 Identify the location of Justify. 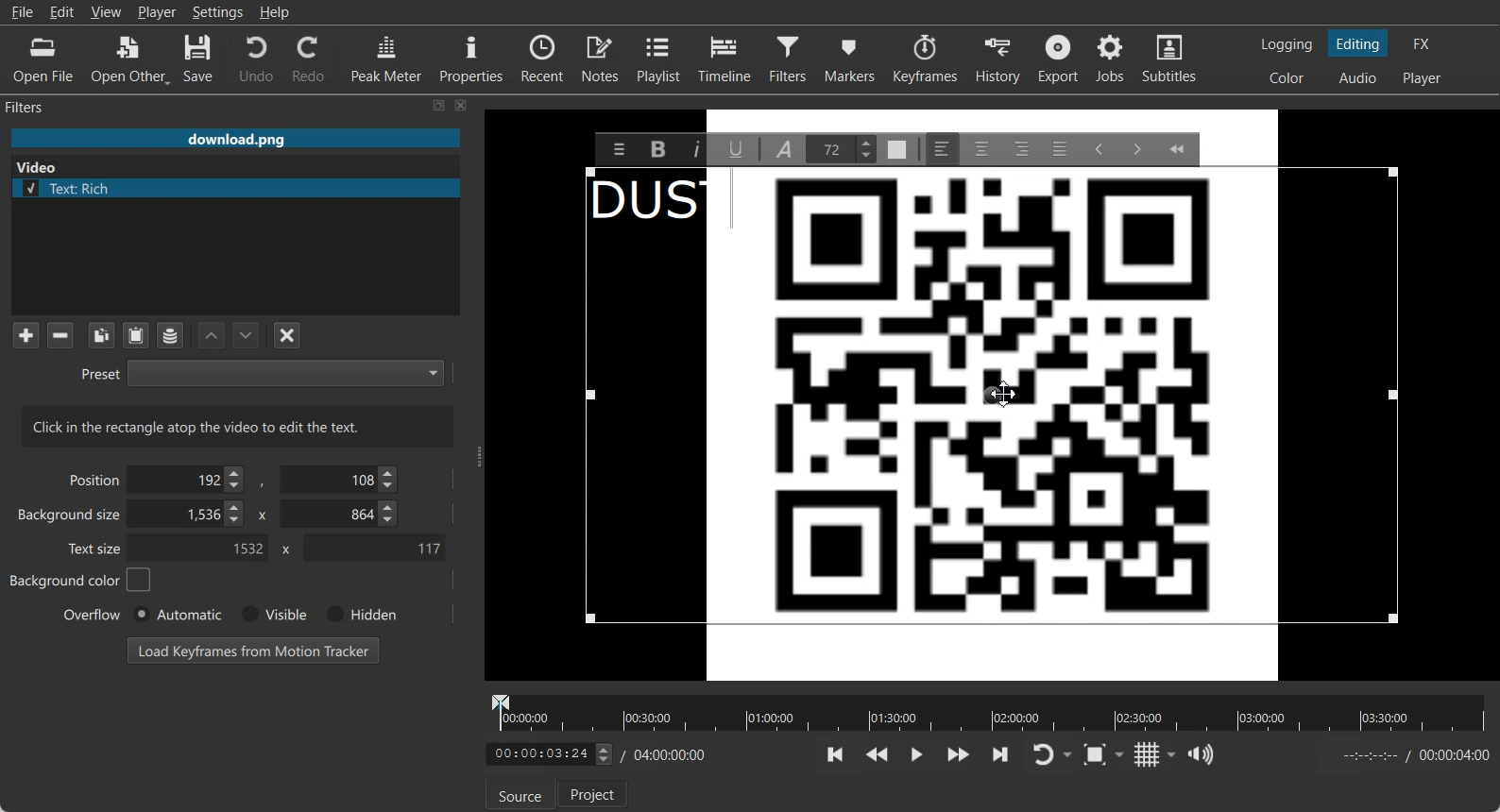
(1061, 149).